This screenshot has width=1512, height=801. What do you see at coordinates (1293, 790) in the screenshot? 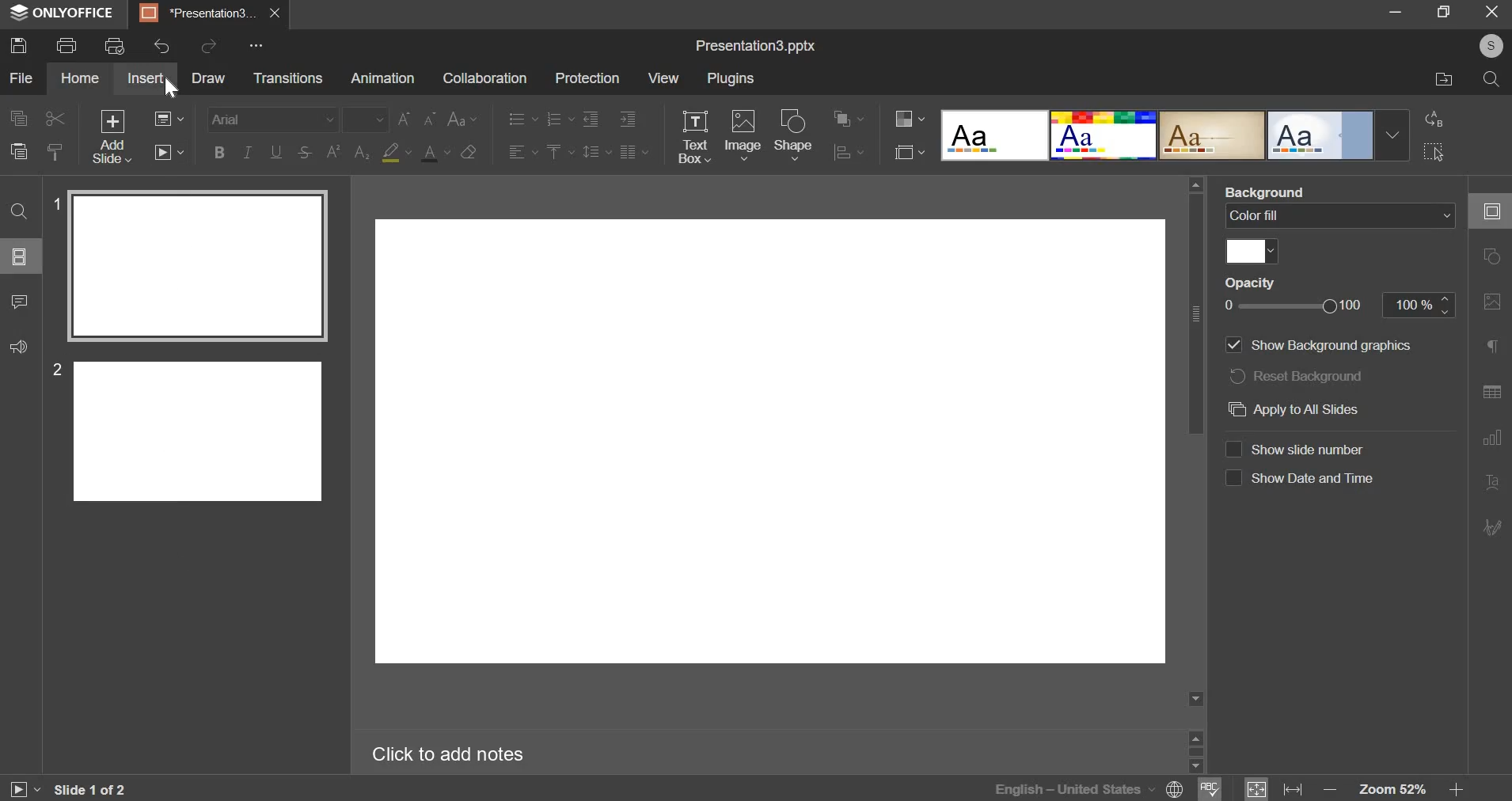
I see `fit to width` at bounding box center [1293, 790].